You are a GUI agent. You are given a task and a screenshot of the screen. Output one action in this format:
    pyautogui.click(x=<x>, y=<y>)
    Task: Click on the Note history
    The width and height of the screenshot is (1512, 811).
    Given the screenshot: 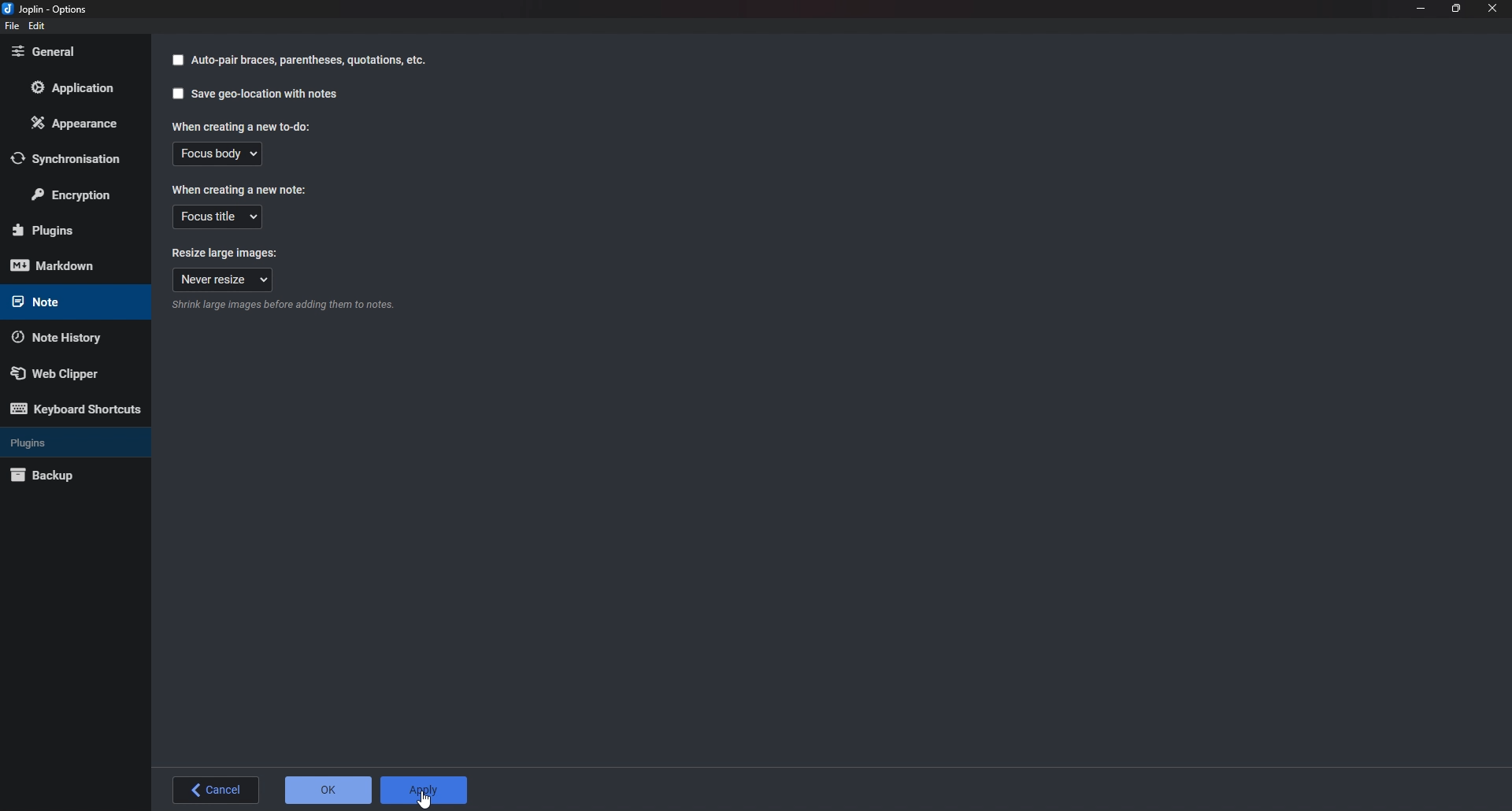 What is the action you would take?
    pyautogui.click(x=71, y=336)
    